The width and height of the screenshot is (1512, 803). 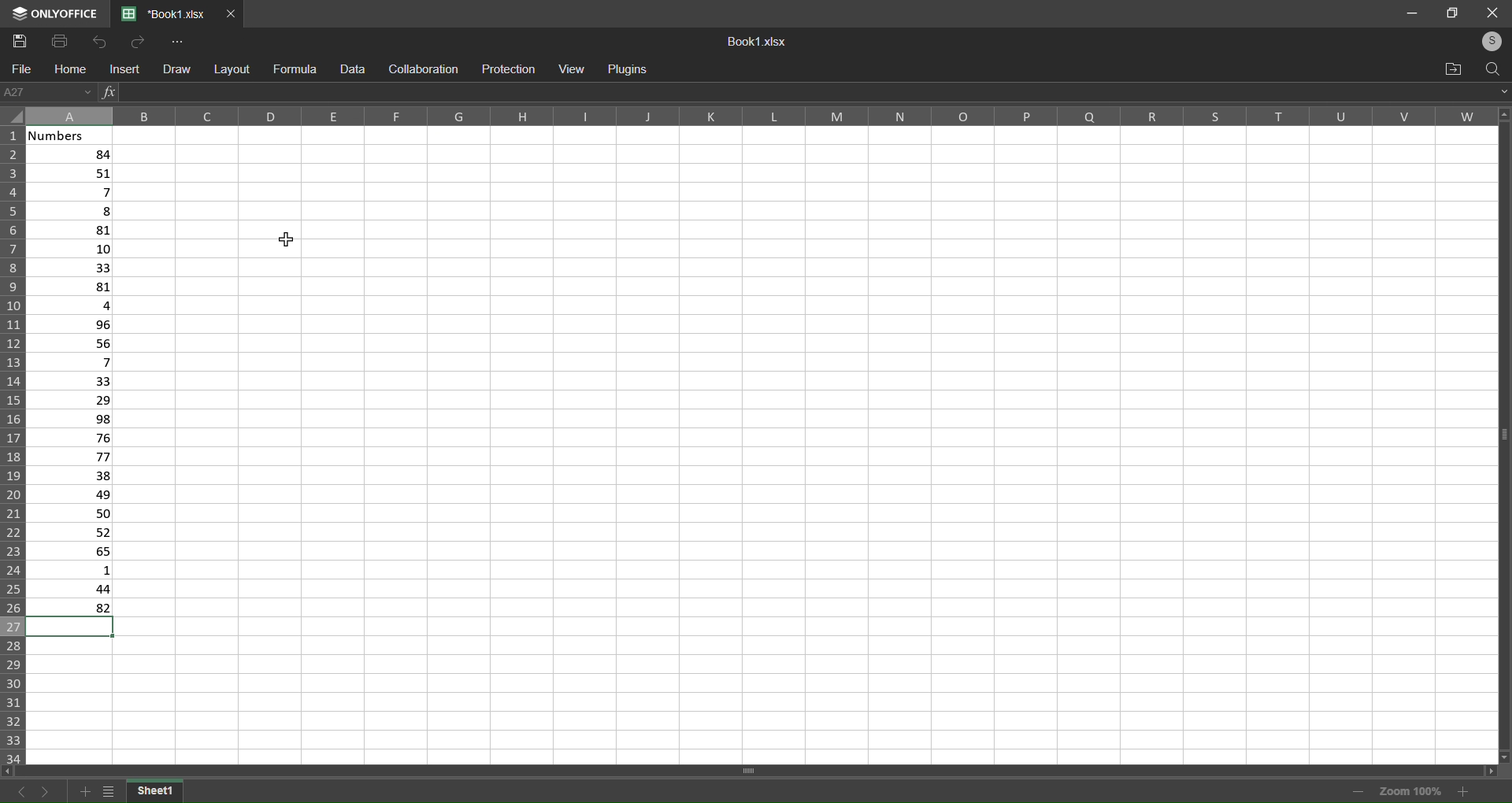 I want to click on selected celll, so click(x=69, y=629).